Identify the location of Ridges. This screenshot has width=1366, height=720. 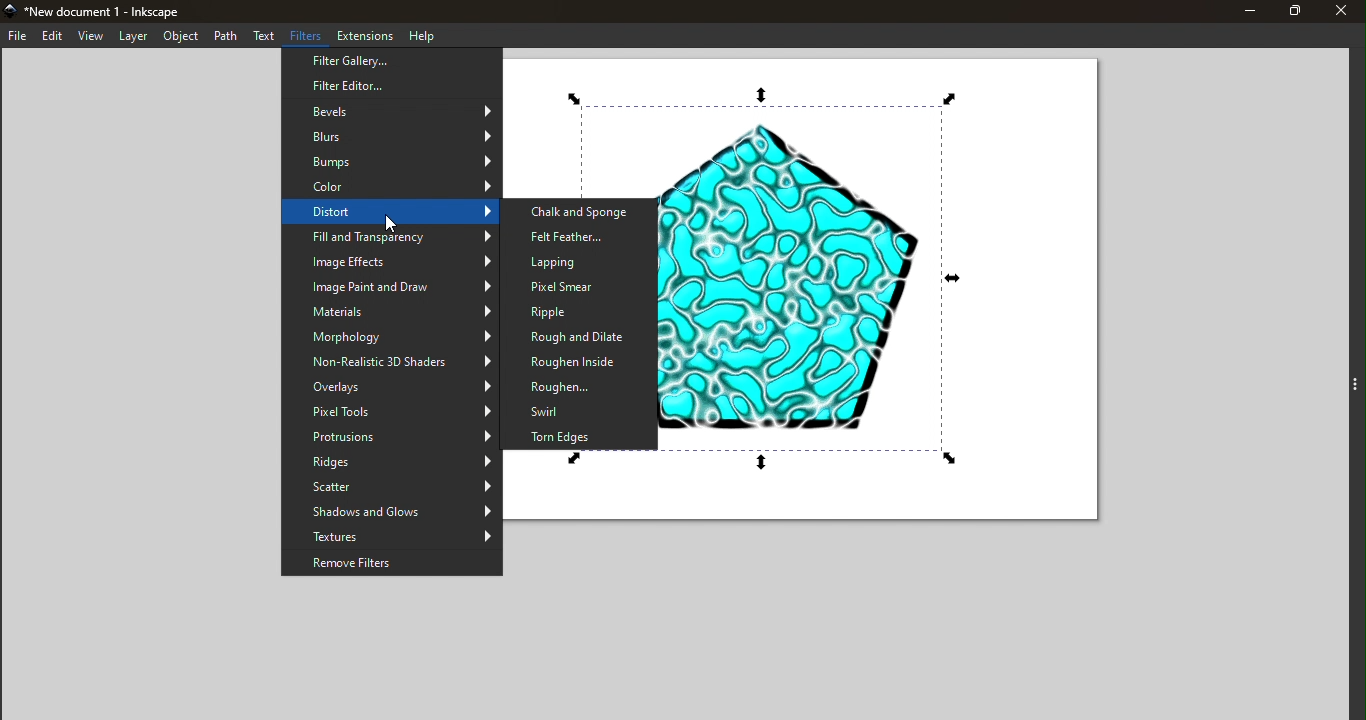
(392, 463).